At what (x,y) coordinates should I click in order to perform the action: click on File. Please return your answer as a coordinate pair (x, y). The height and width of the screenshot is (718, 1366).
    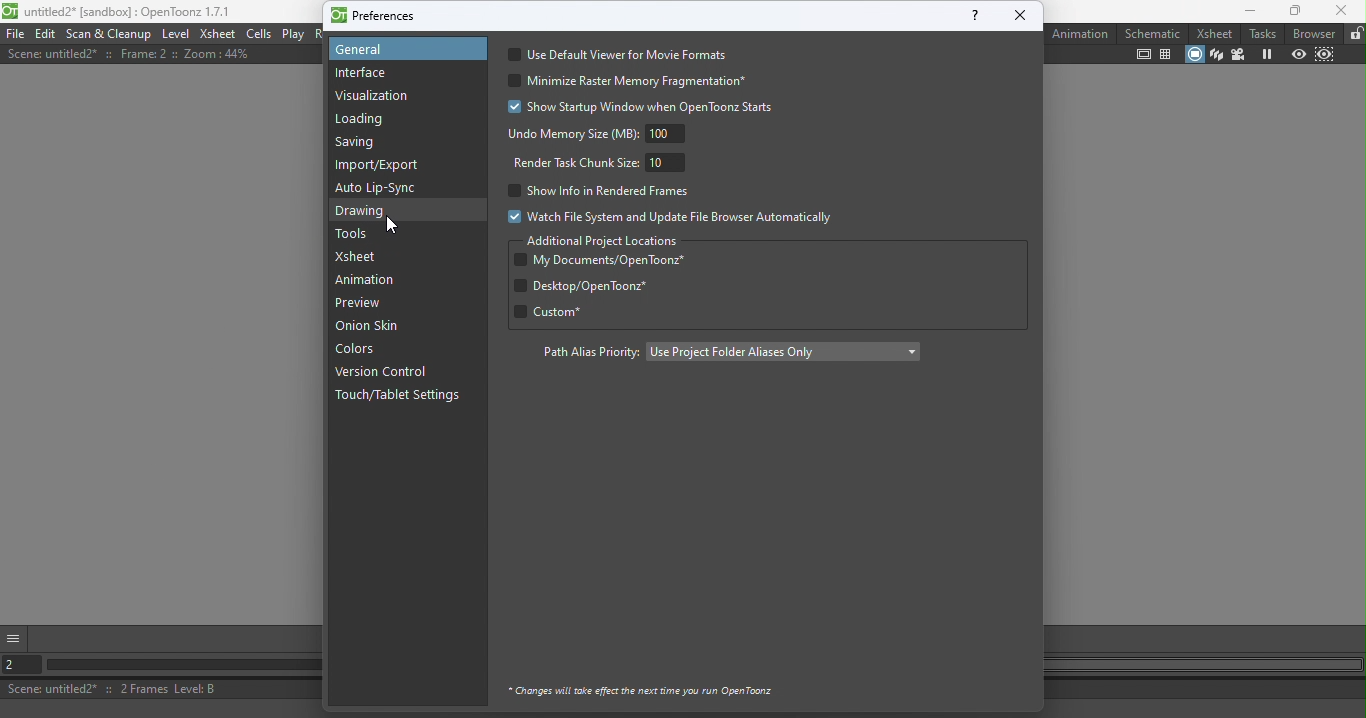
    Looking at the image, I should click on (15, 33).